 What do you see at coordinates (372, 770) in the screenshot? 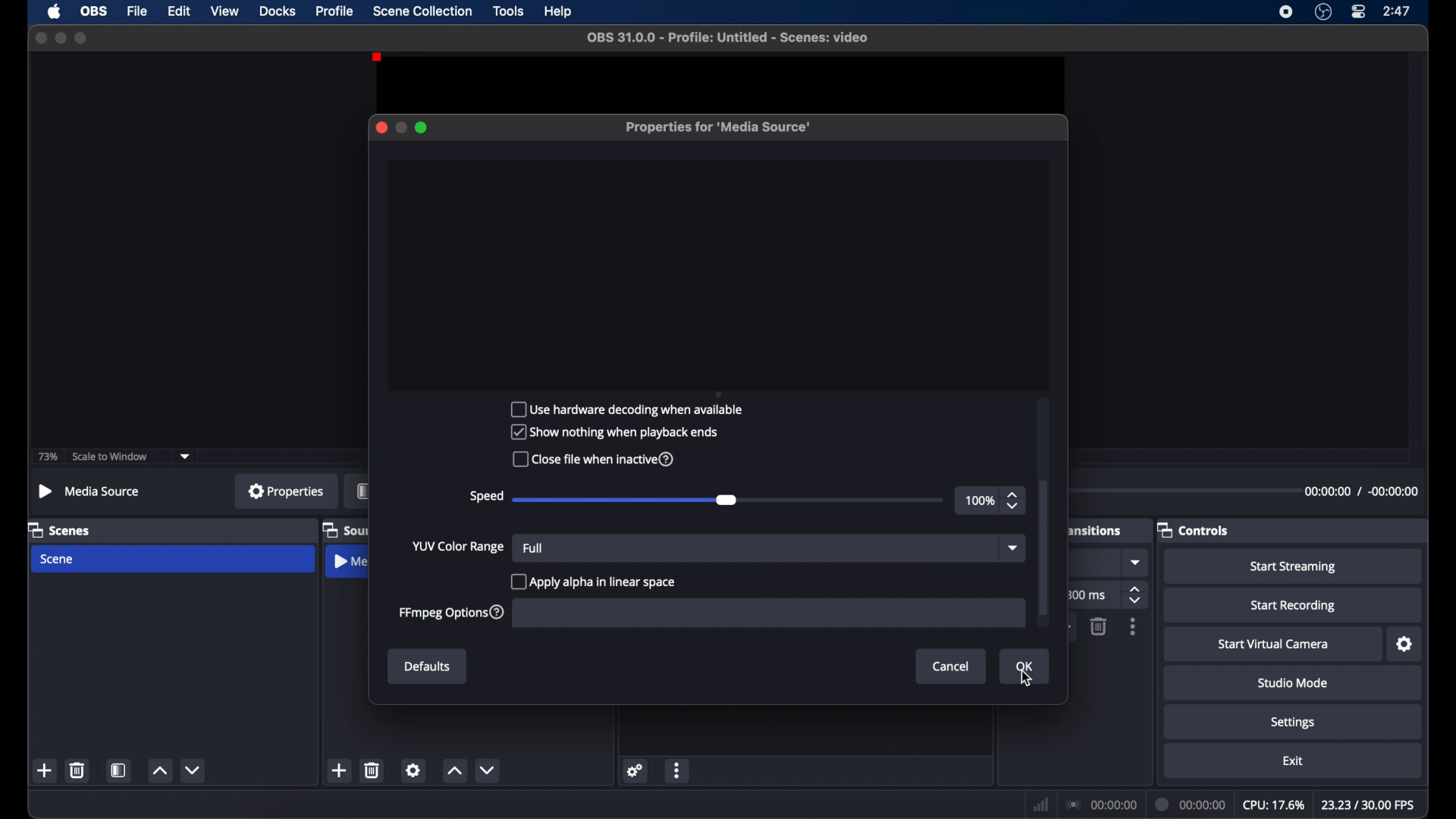
I see `delete` at bounding box center [372, 770].